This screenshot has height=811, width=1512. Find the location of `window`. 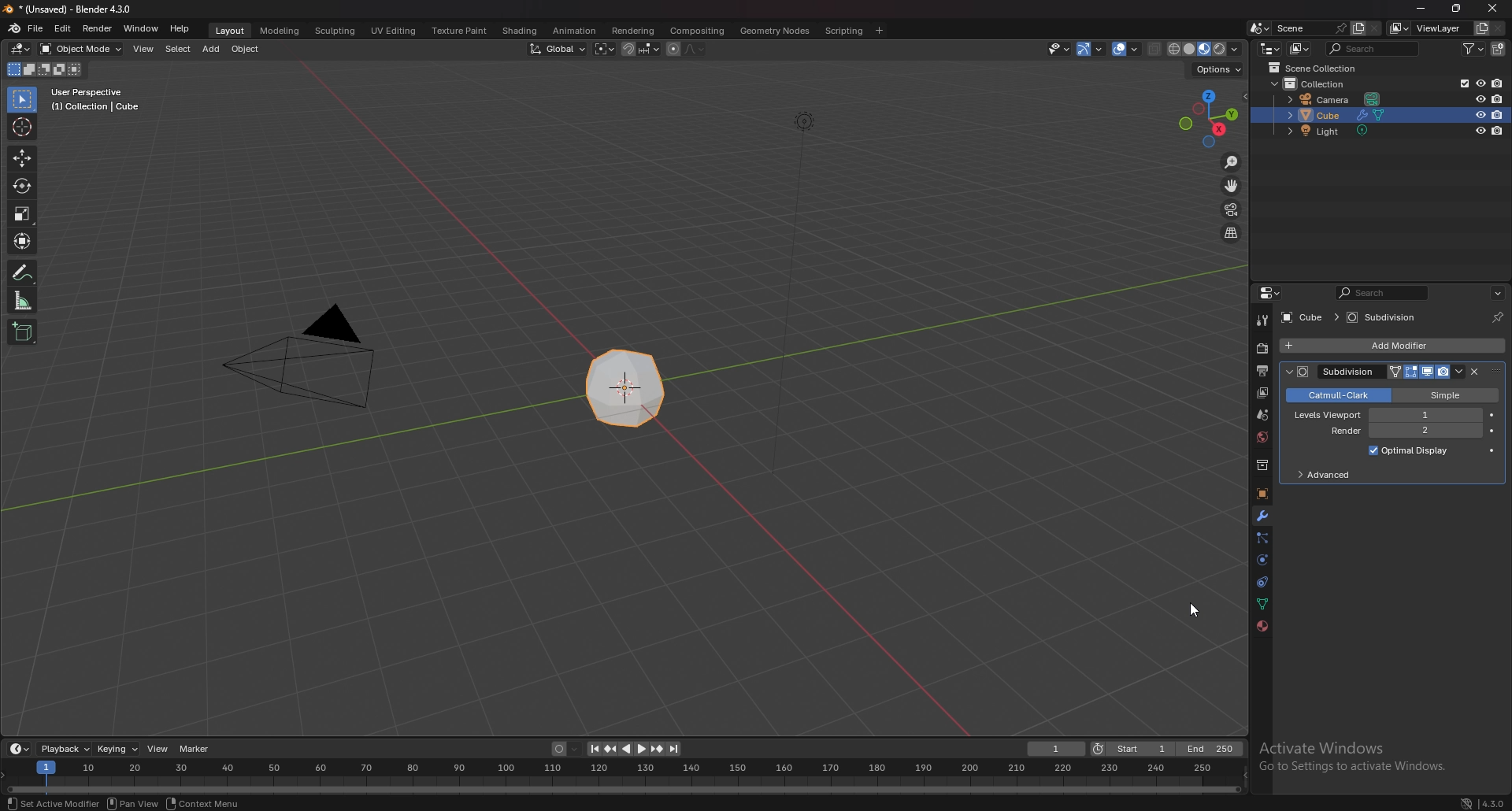

window is located at coordinates (142, 27).